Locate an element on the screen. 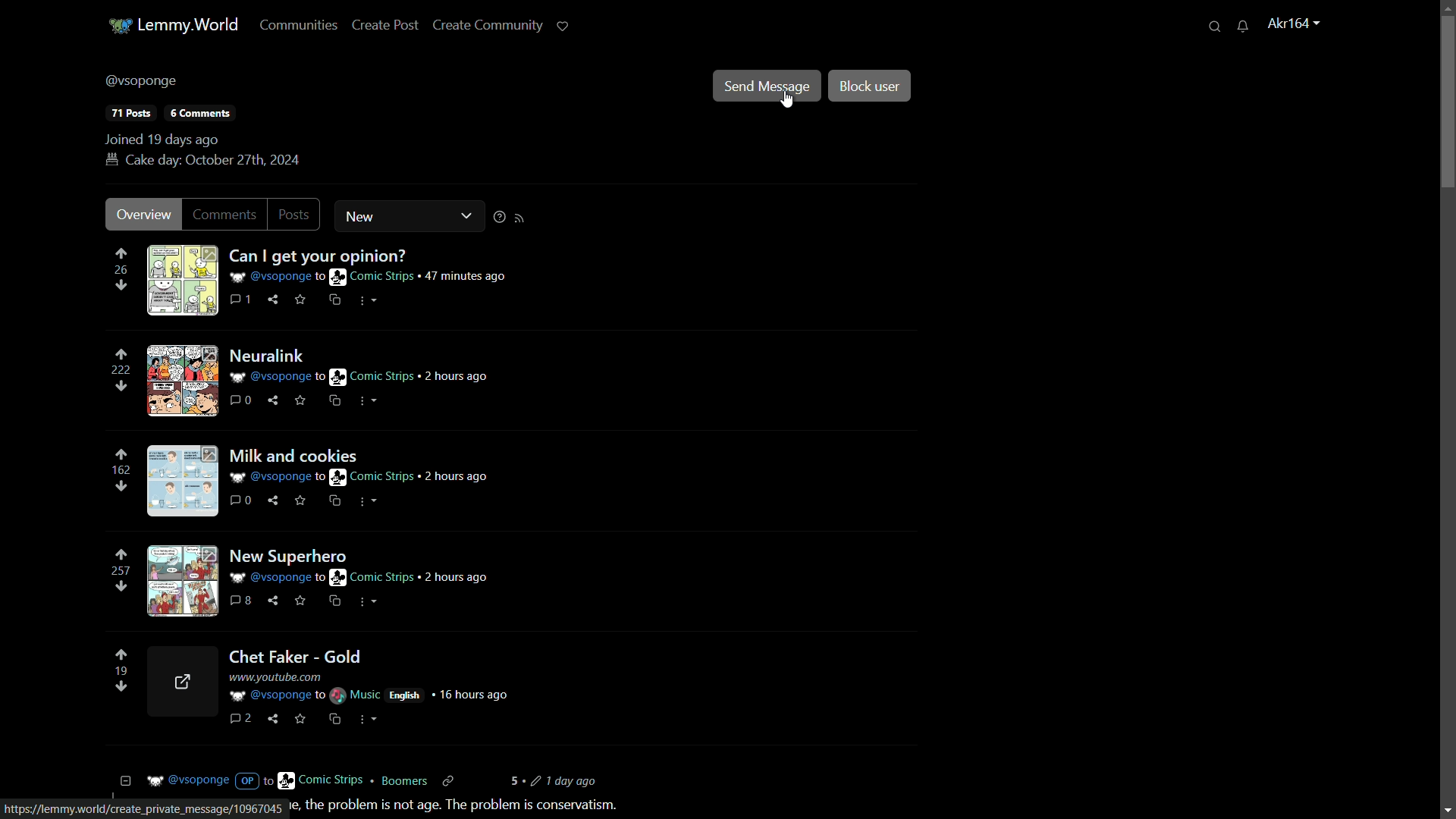 The width and height of the screenshot is (1456, 819). post-3 is located at coordinates (295, 456).